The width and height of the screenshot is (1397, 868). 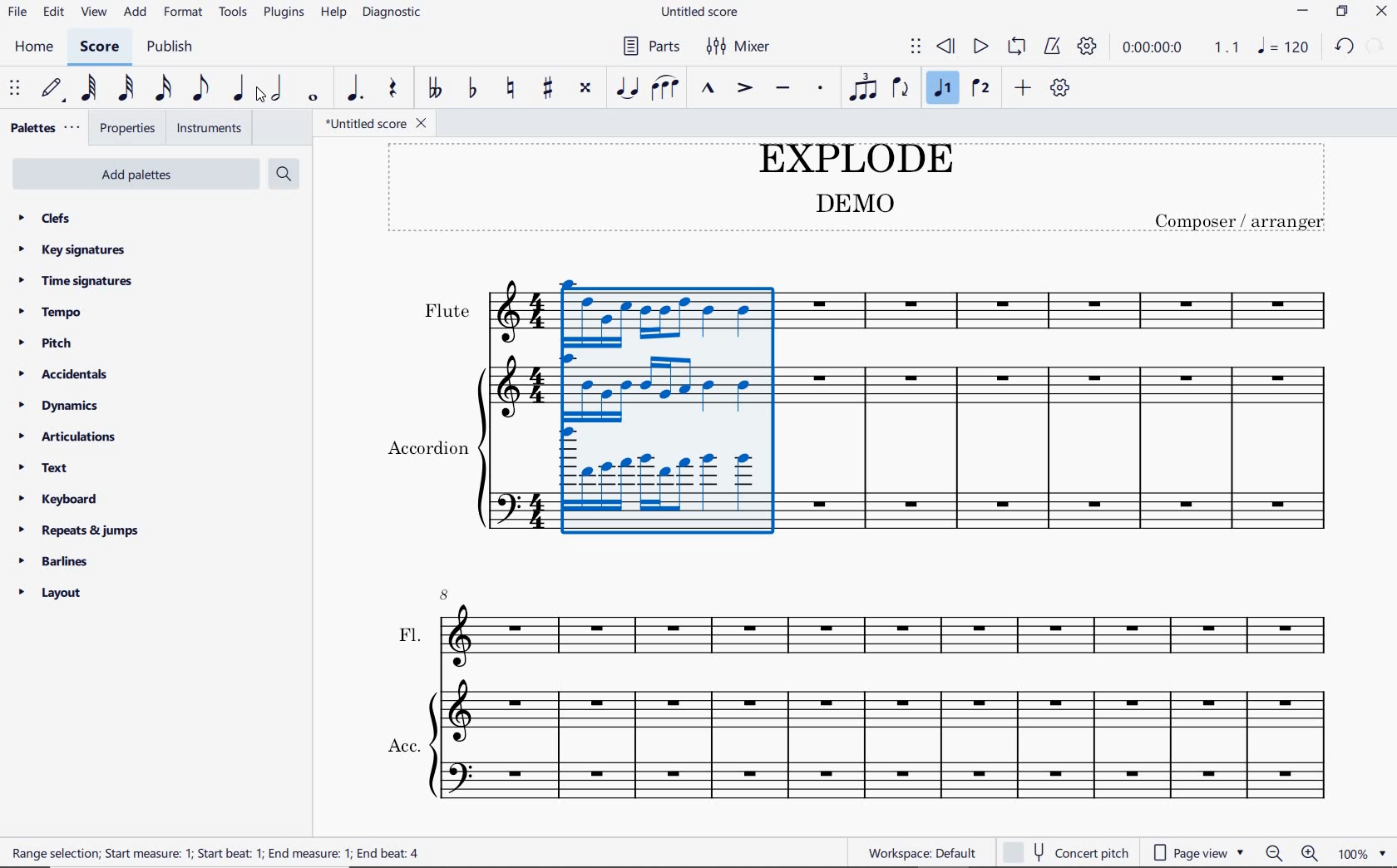 I want to click on tempo, so click(x=53, y=313).